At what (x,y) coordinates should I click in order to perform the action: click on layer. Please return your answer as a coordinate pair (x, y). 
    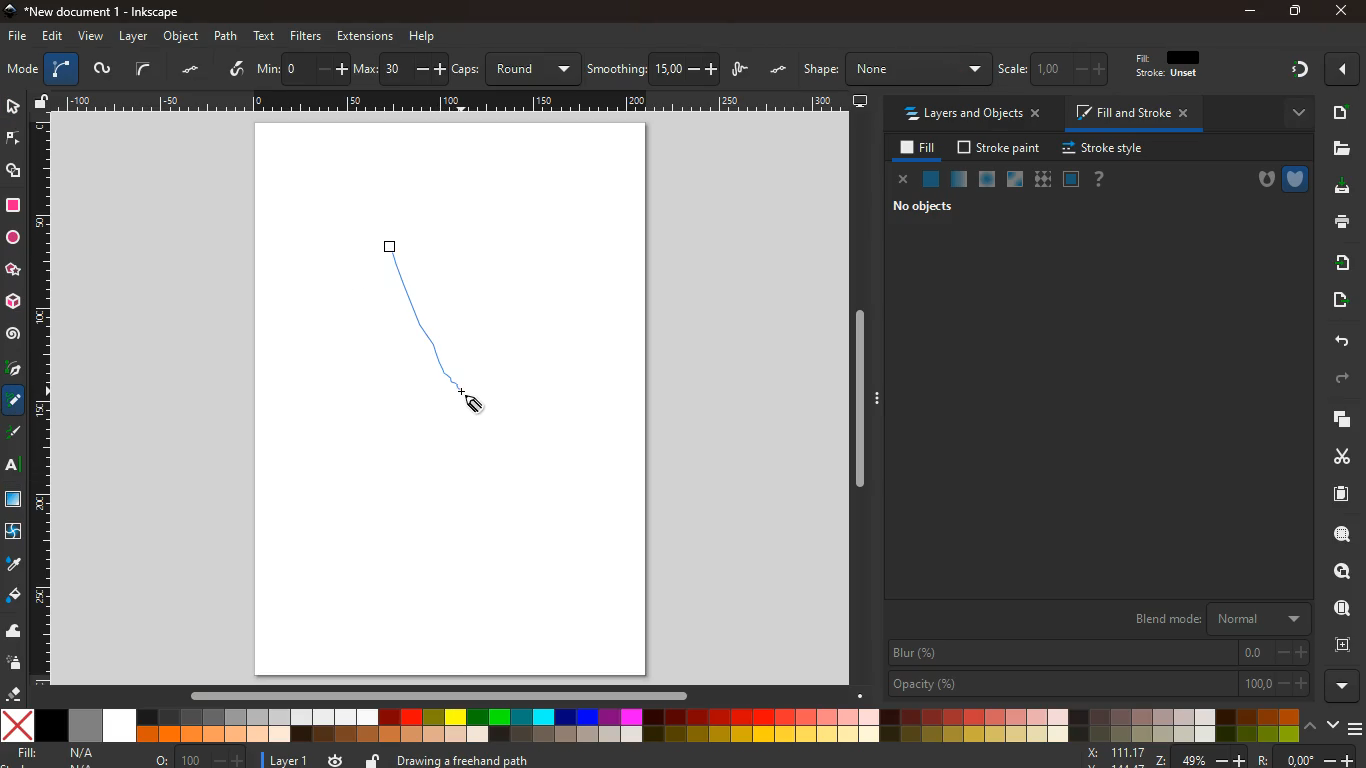
    Looking at the image, I should click on (136, 37).